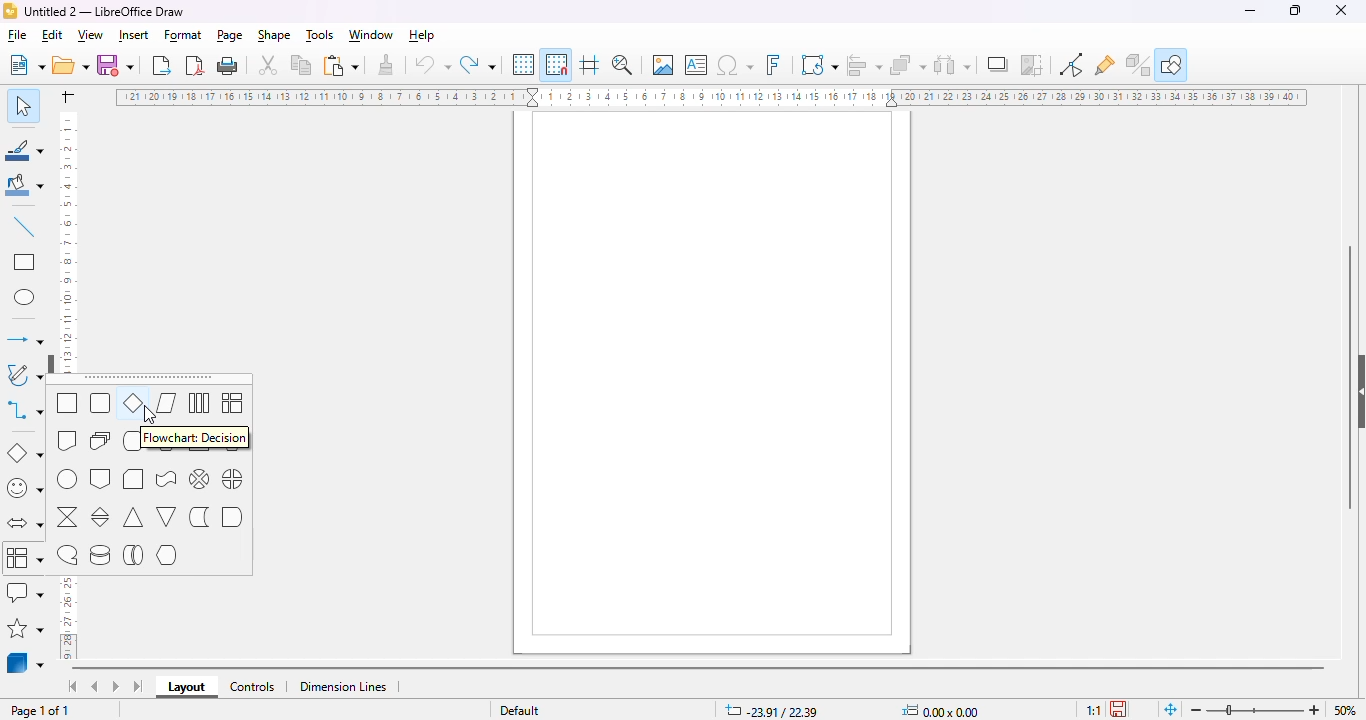  Describe the element at coordinates (41, 711) in the screenshot. I see `page 1 of 1` at that location.